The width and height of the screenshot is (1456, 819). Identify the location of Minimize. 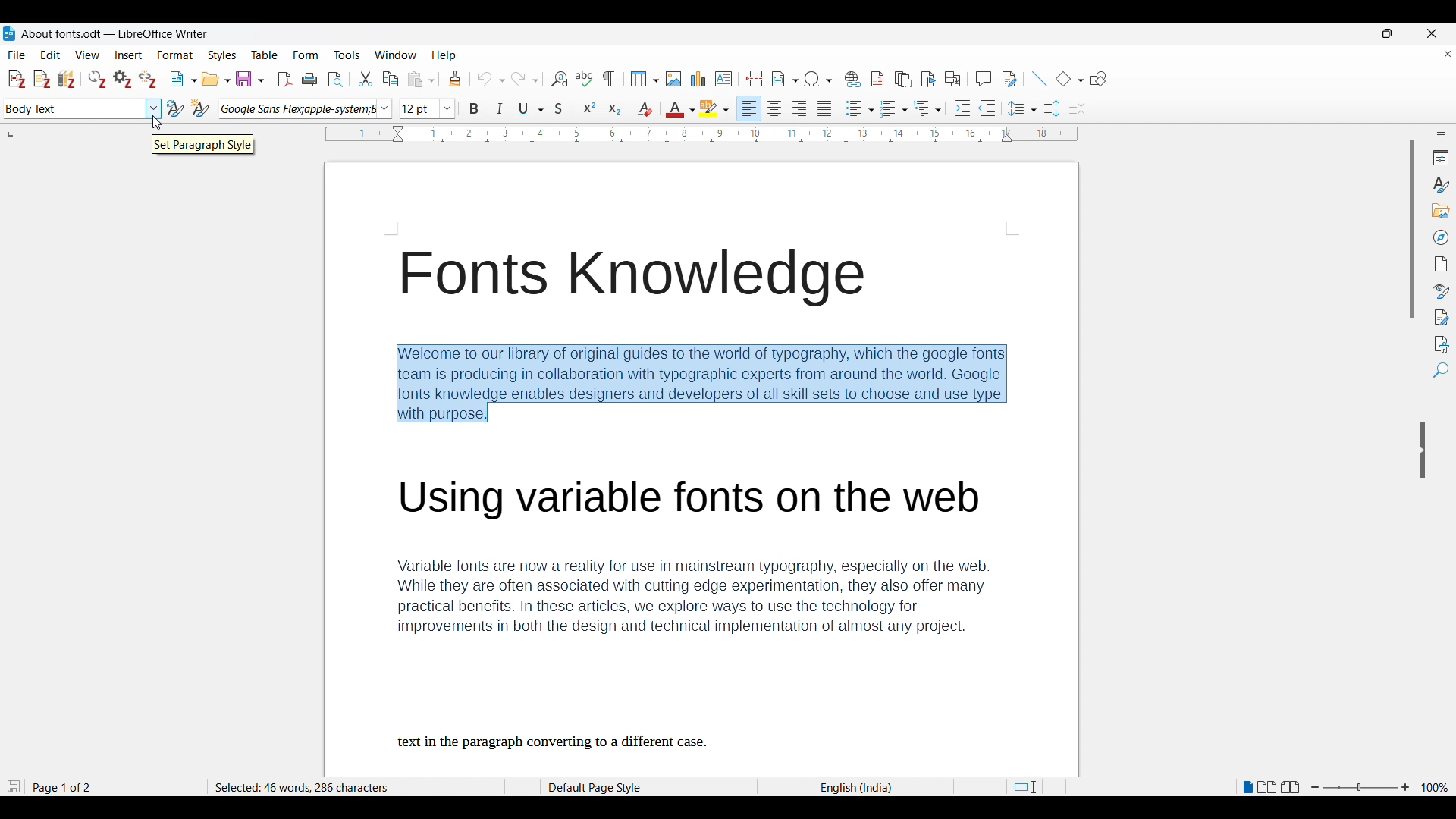
(1343, 33).